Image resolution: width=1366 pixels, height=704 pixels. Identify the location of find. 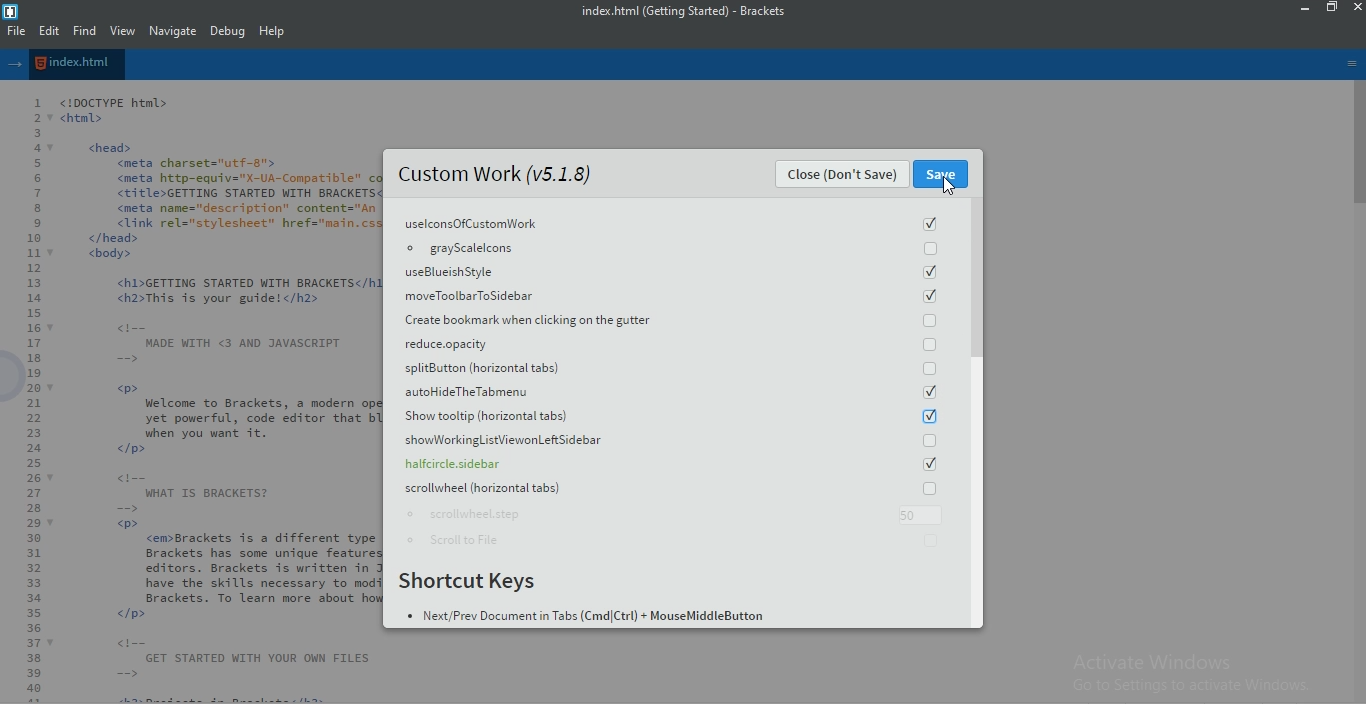
(83, 31).